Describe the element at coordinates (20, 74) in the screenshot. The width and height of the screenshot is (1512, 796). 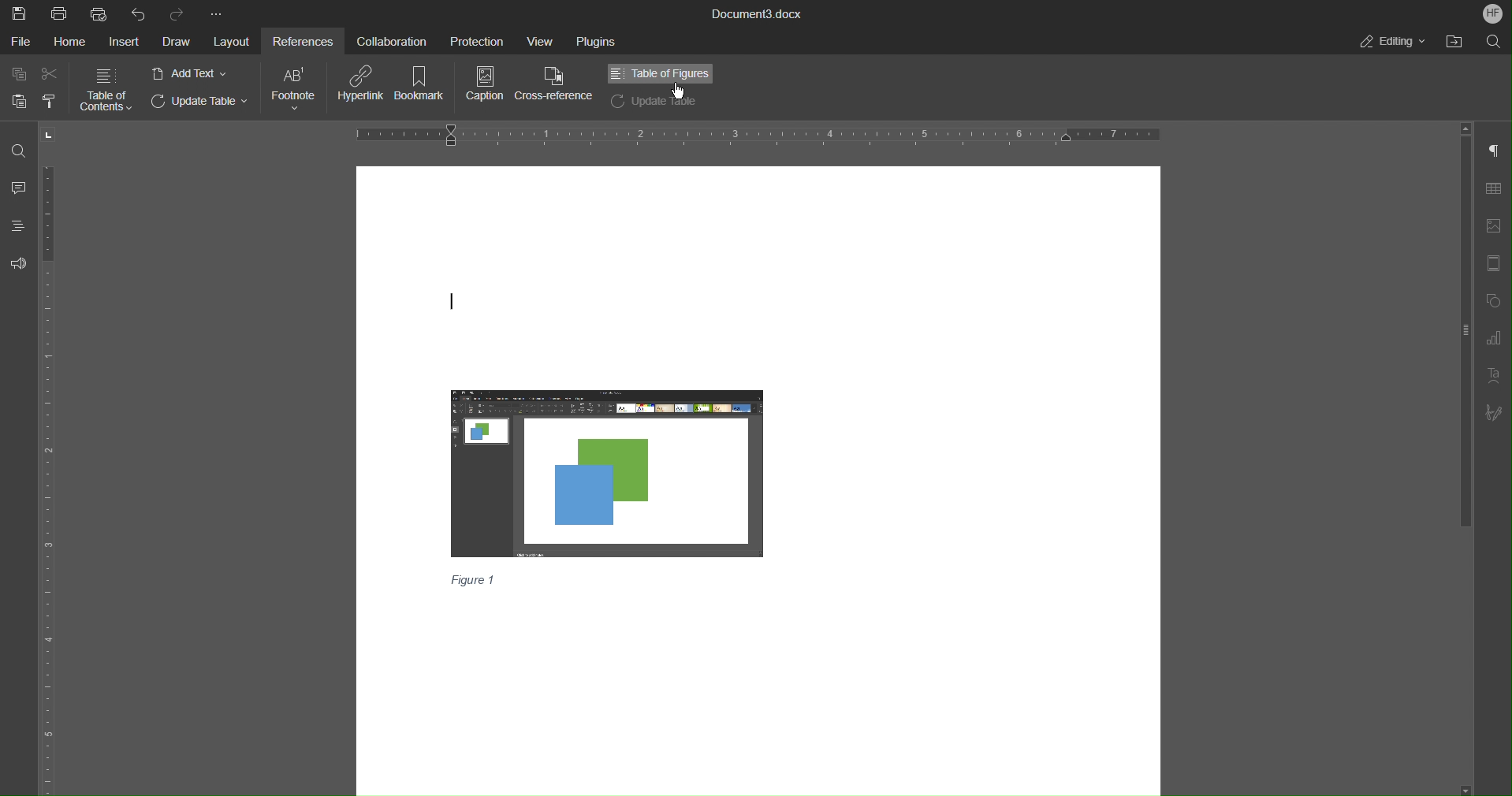
I see `Copy` at that location.